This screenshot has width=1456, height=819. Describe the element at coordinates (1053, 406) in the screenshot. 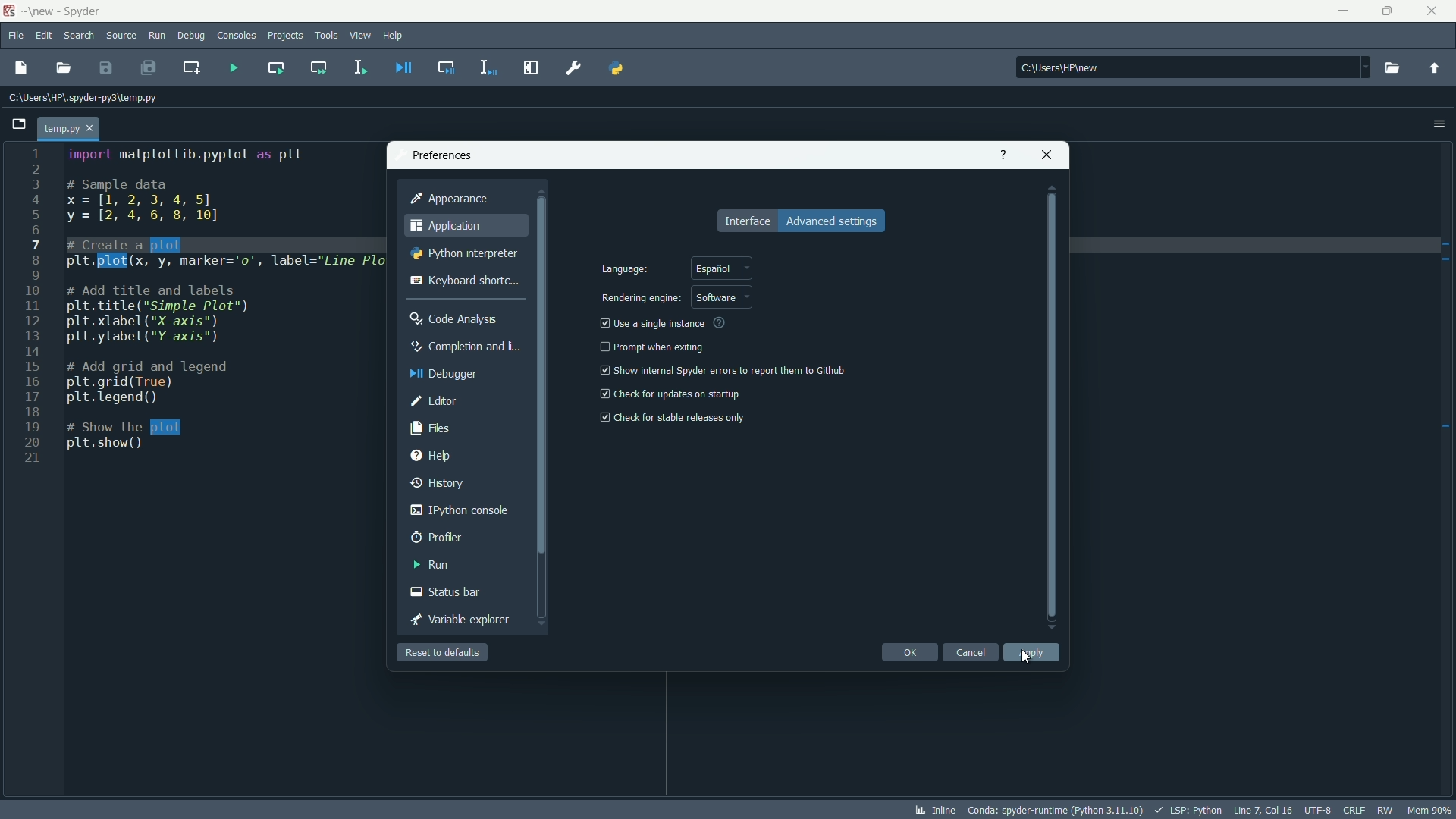

I see `vertical scrollbar` at that location.